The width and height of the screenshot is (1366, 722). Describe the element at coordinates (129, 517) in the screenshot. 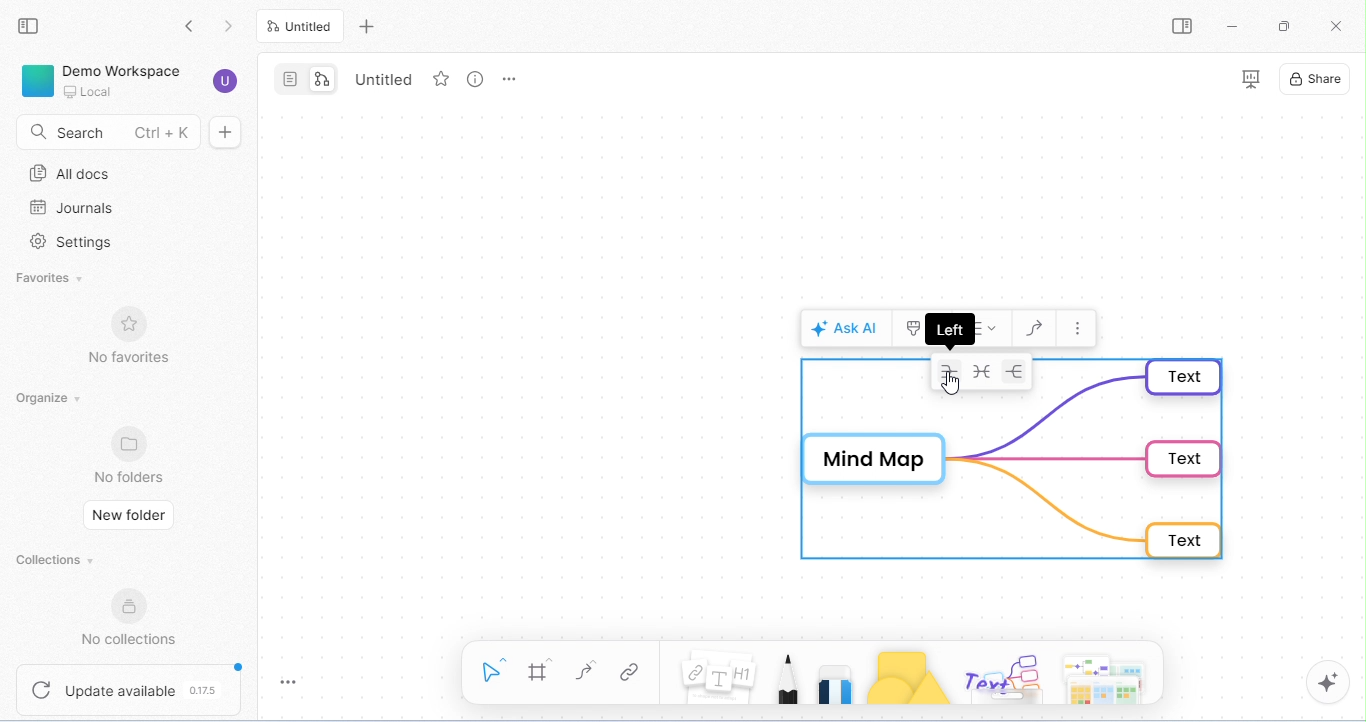

I see `new folder` at that location.